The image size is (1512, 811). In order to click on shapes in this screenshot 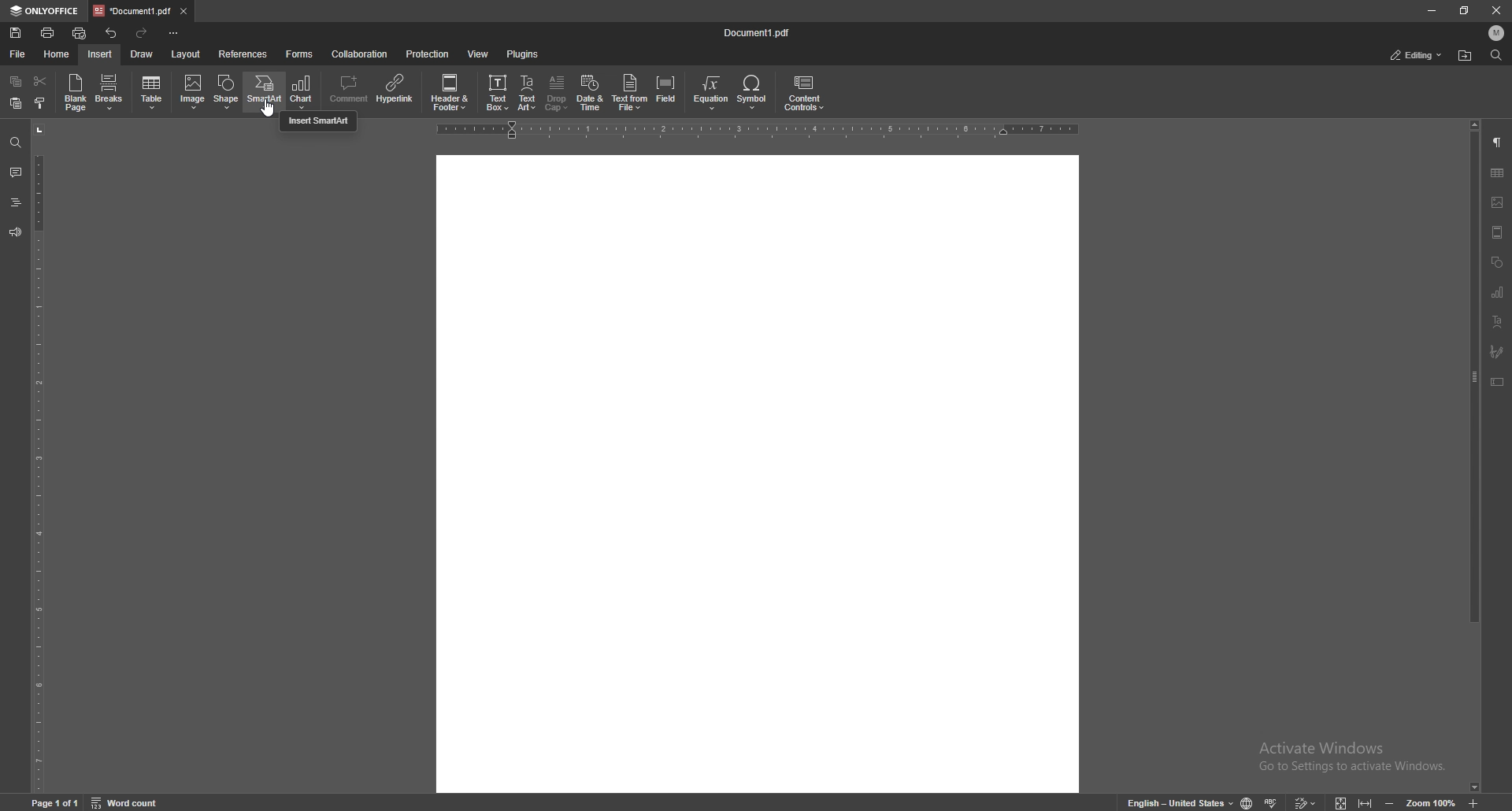, I will do `click(1498, 261)`.